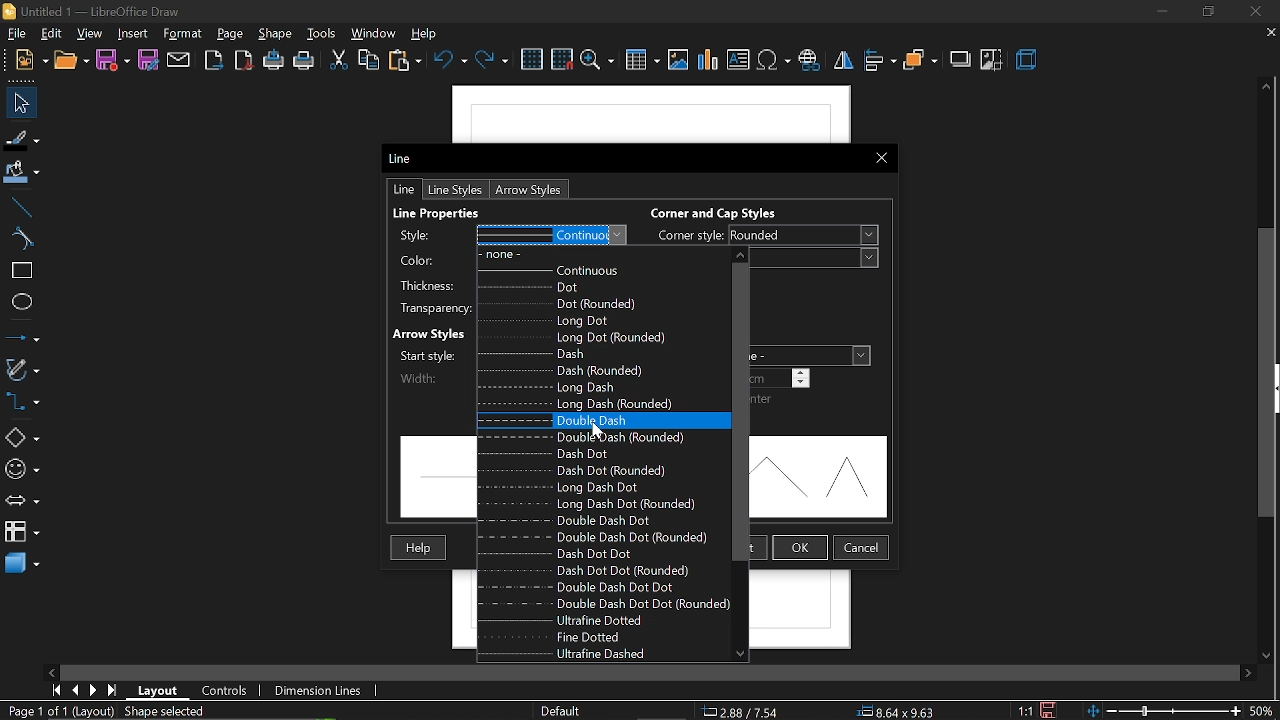  I want to click on ok, so click(800, 547).